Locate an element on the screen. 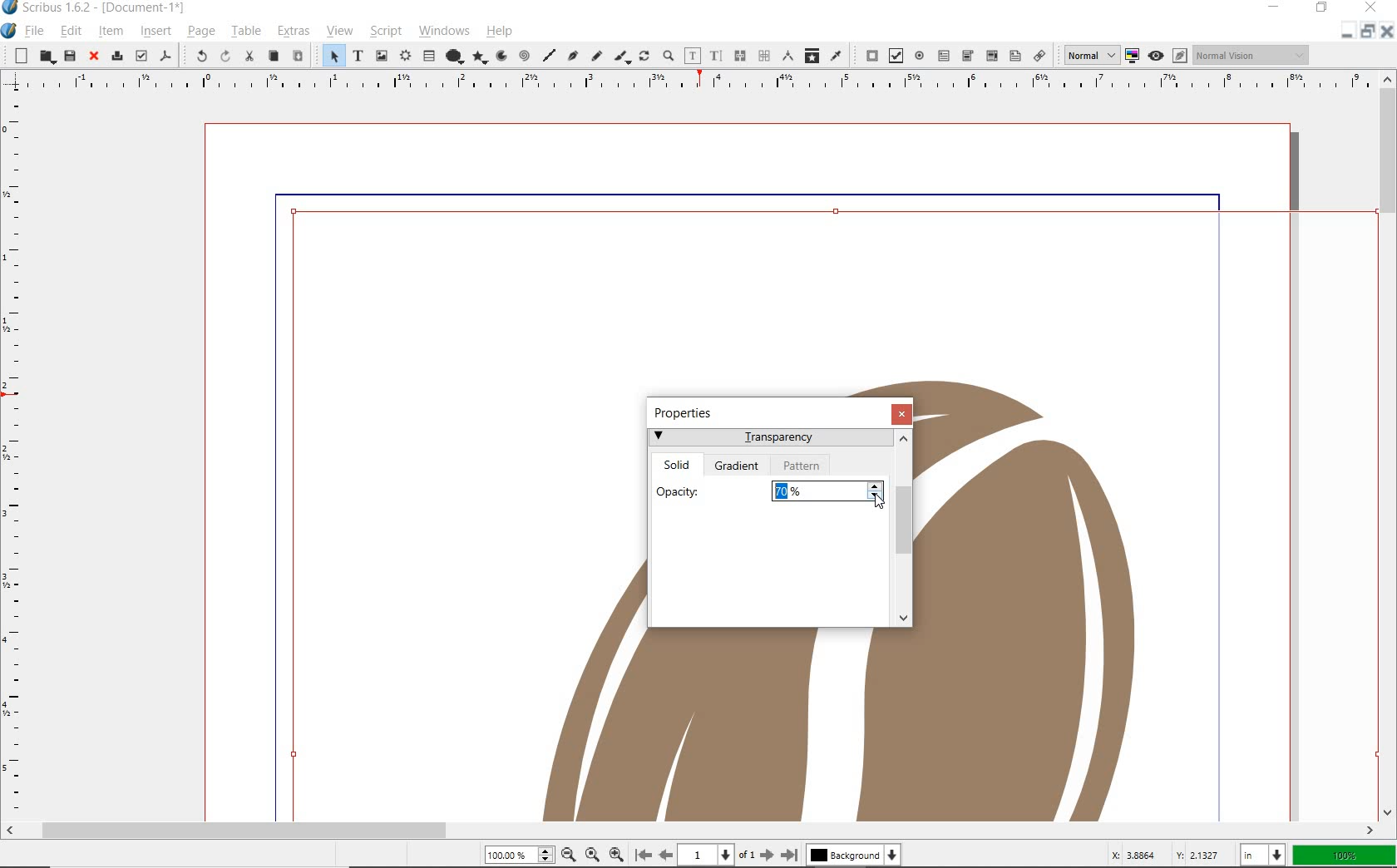 The width and height of the screenshot is (1397, 868). insert is located at coordinates (155, 32).